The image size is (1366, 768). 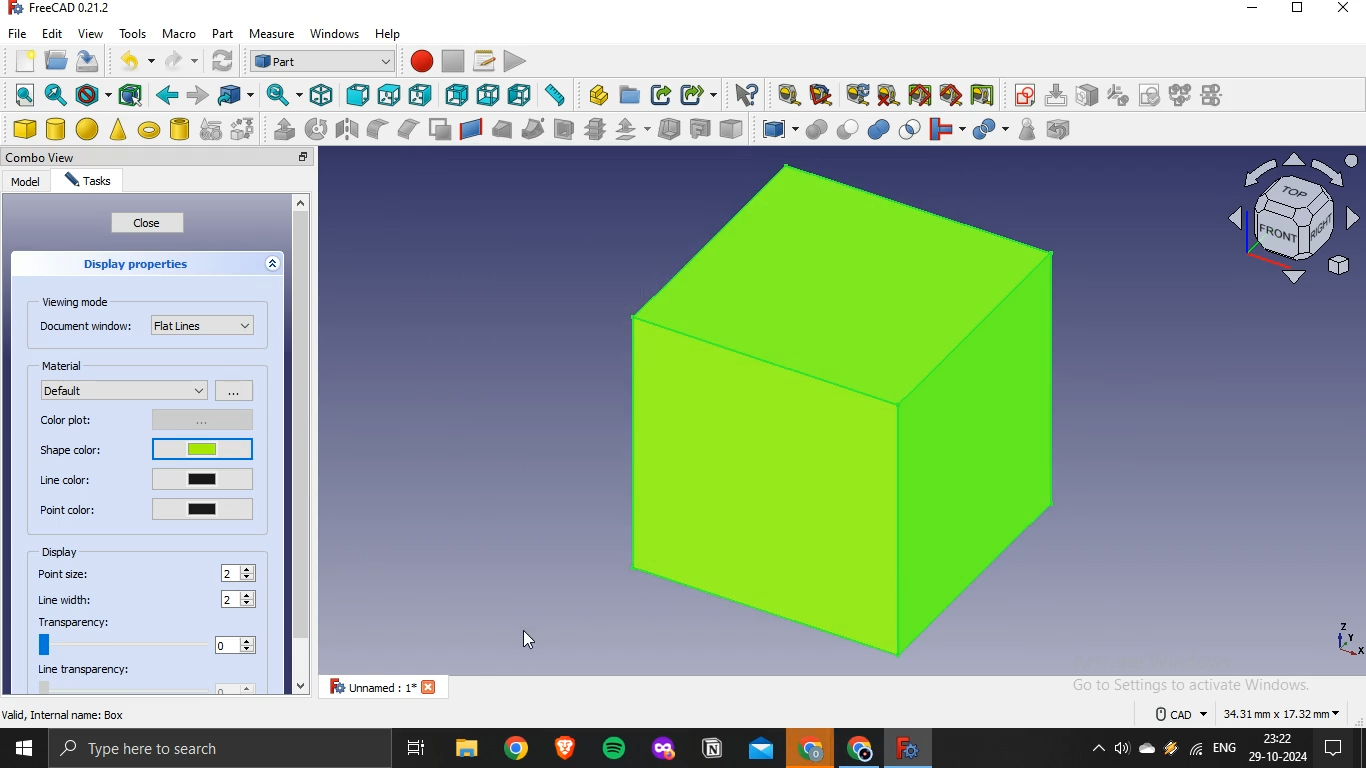 I want to click on compound tools, so click(x=771, y=130).